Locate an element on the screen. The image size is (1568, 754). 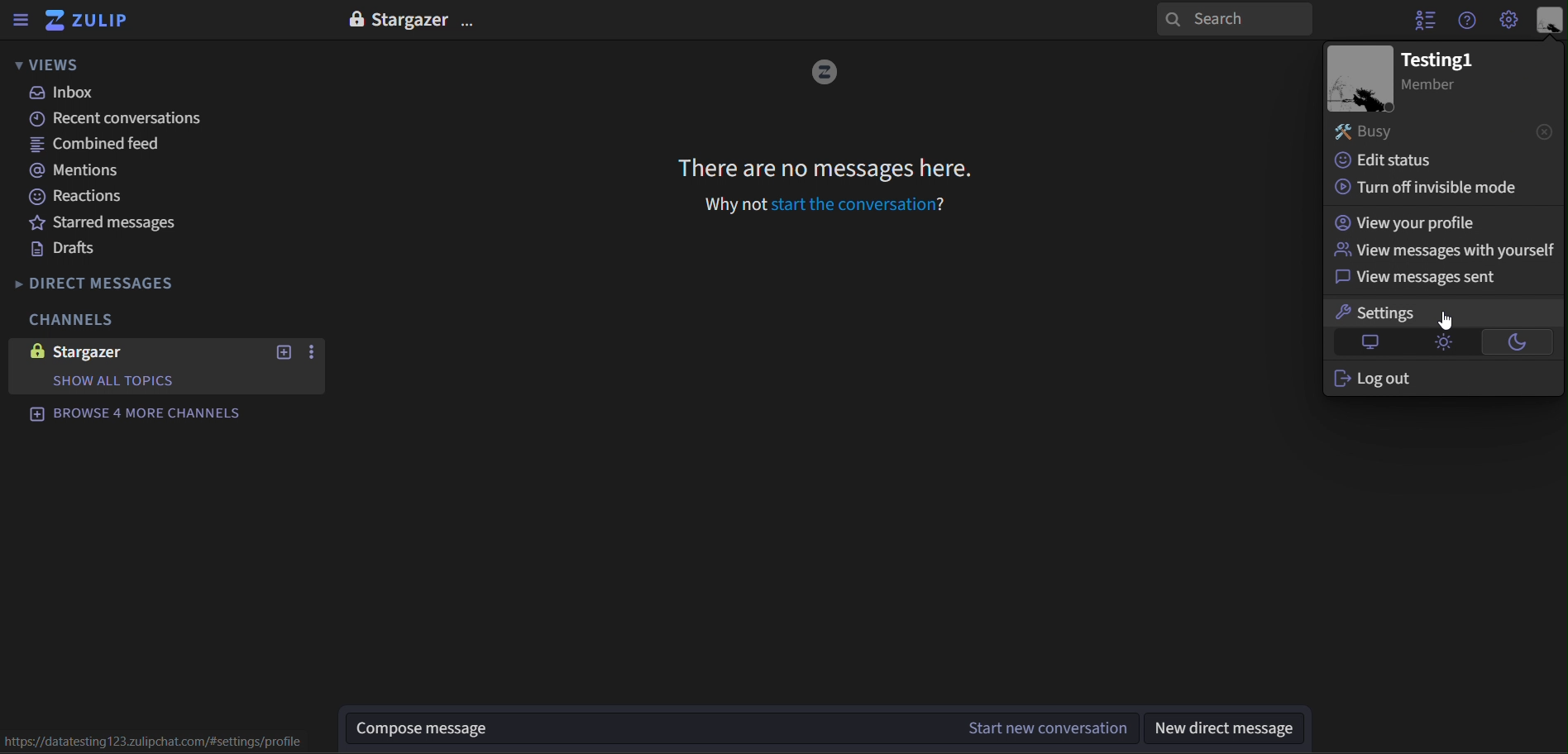
show all topics is located at coordinates (118, 380).